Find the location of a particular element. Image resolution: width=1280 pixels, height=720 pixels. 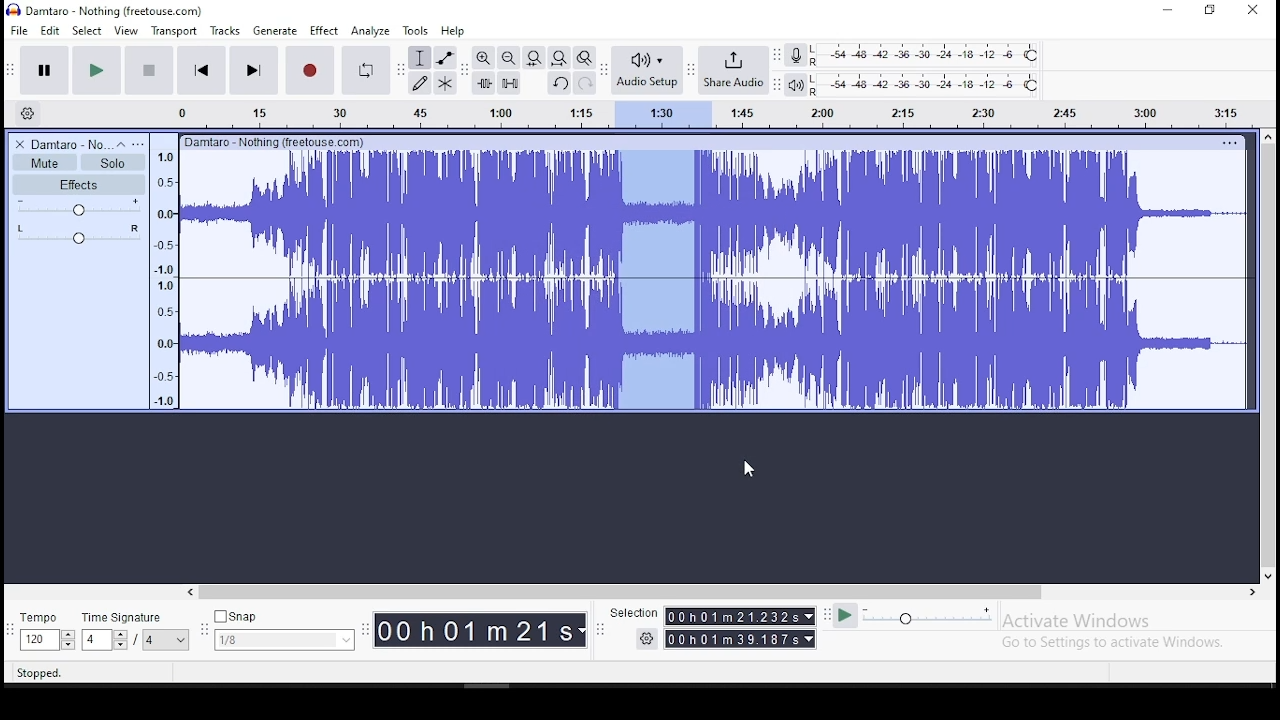

select is located at coordinates (89, 30).